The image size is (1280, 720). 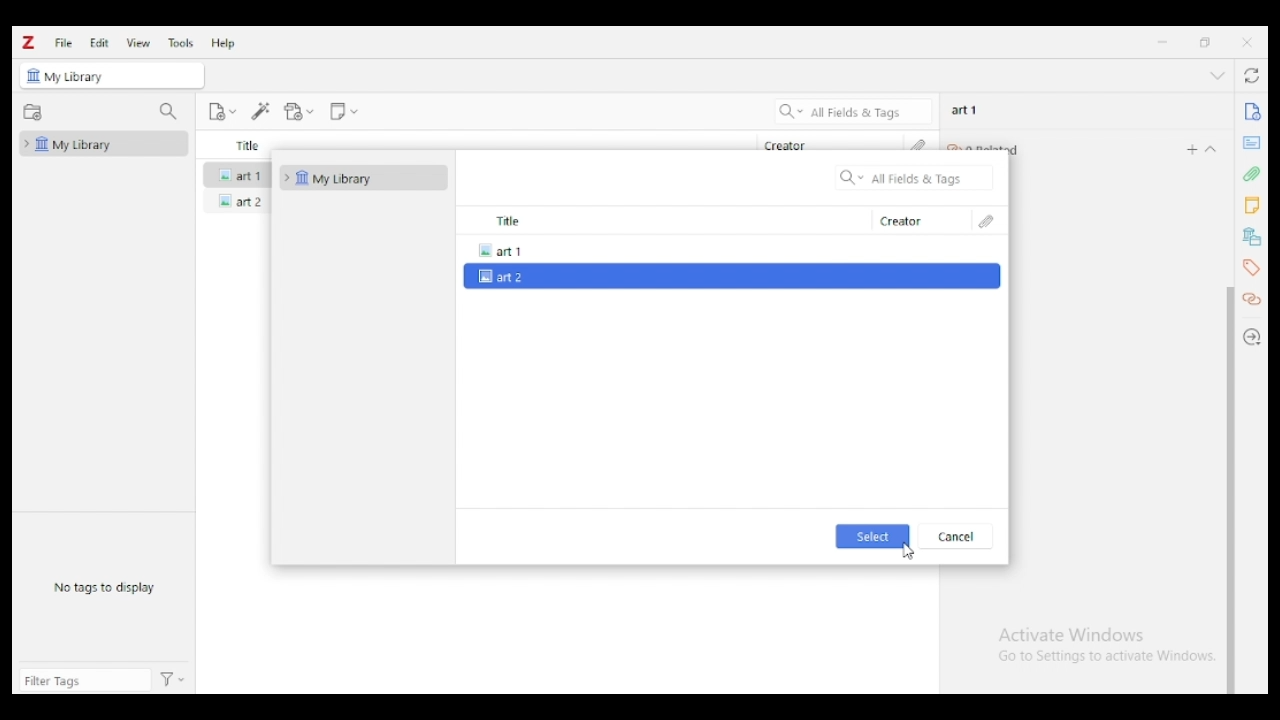 What do you see at coordinates (786, 145) in the screenshot?
I see `creator` at bounding box center [786, 145].